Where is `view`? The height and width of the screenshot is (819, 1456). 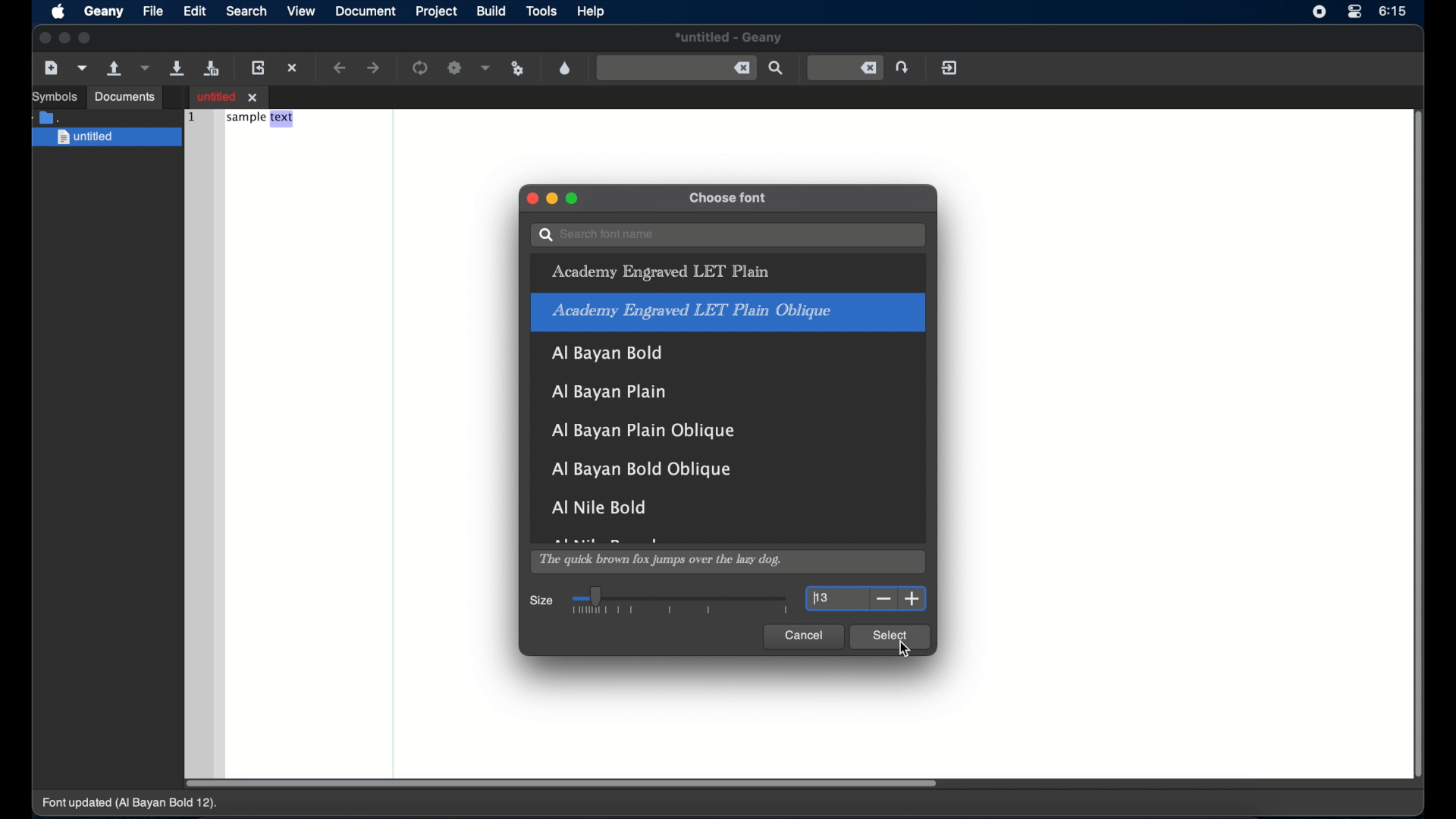 view is located at coordinates (300, 12).